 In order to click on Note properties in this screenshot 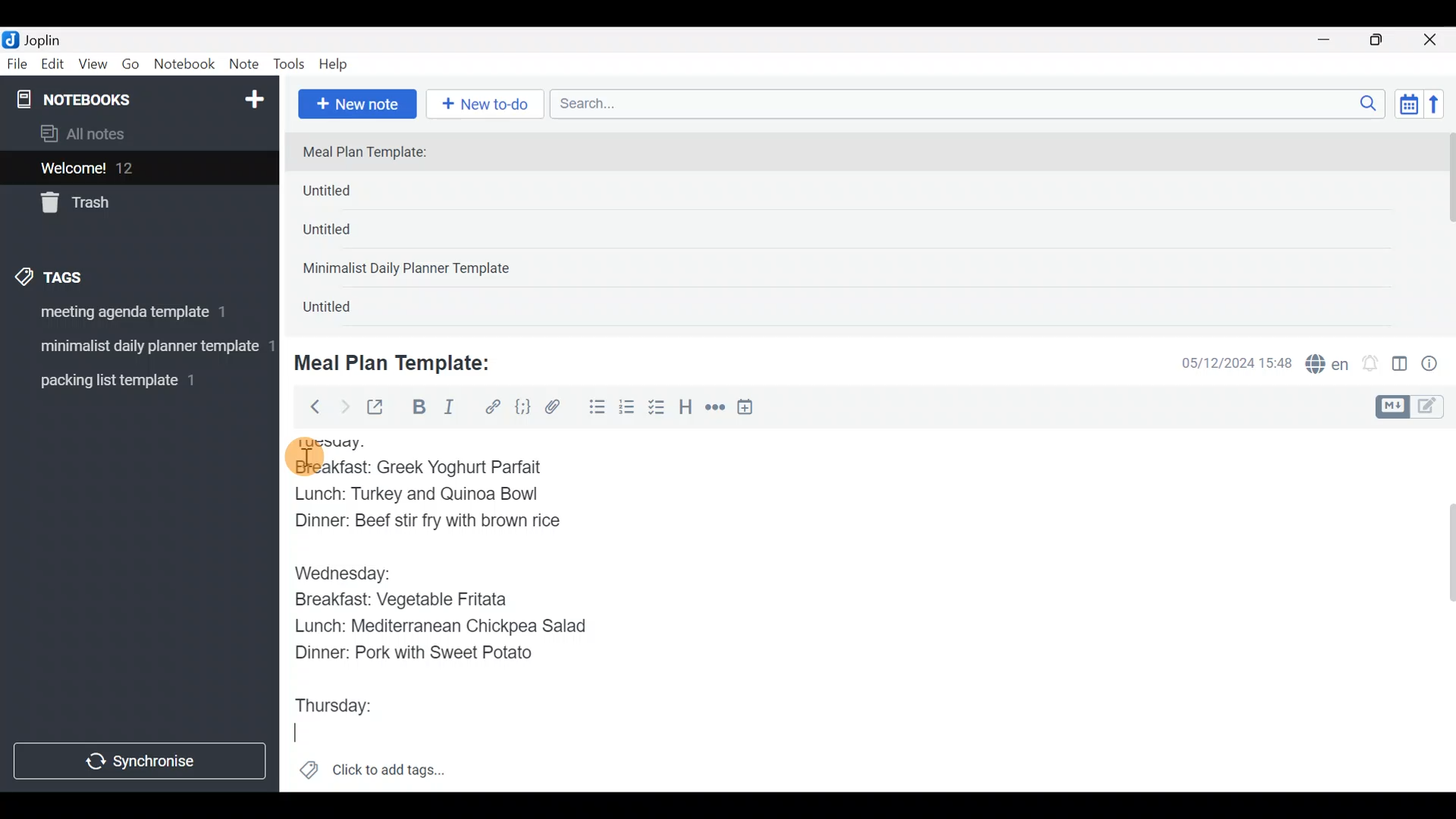, I will do `click(1436, 365)`.